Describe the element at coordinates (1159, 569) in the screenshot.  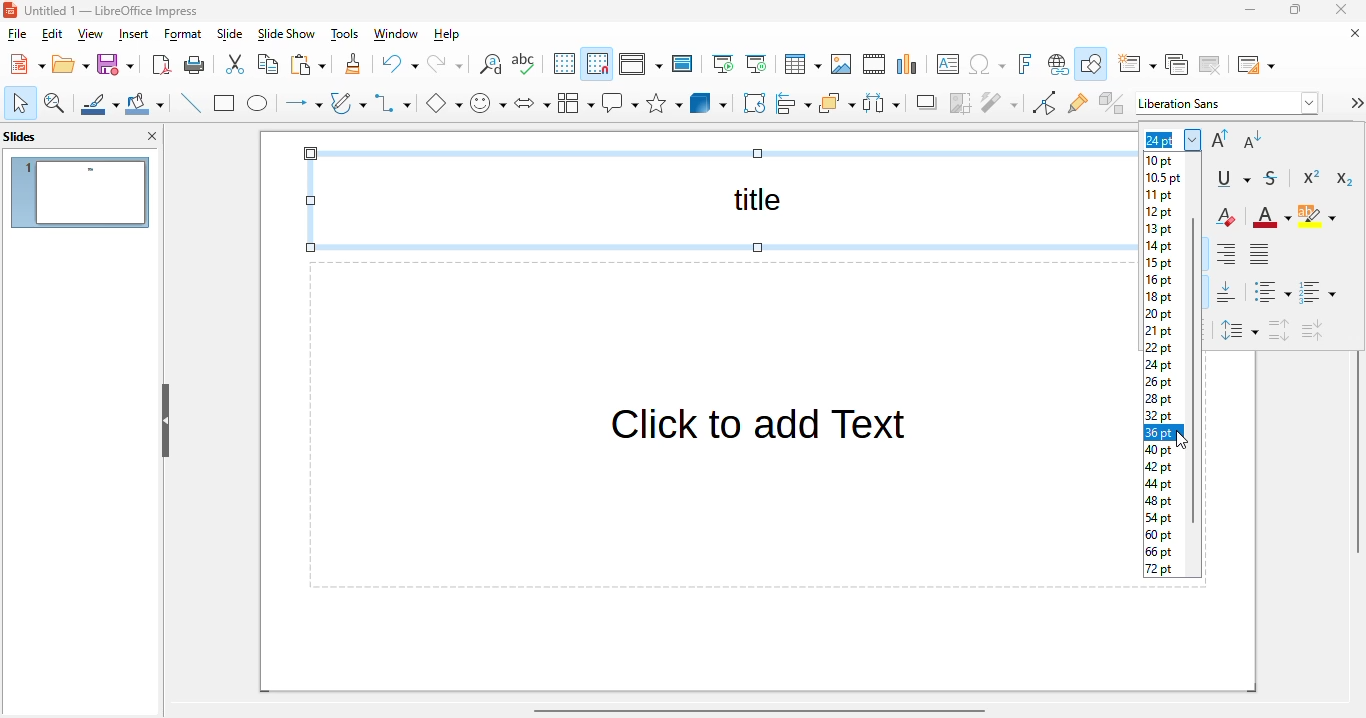
I see `72 pt` at that location.